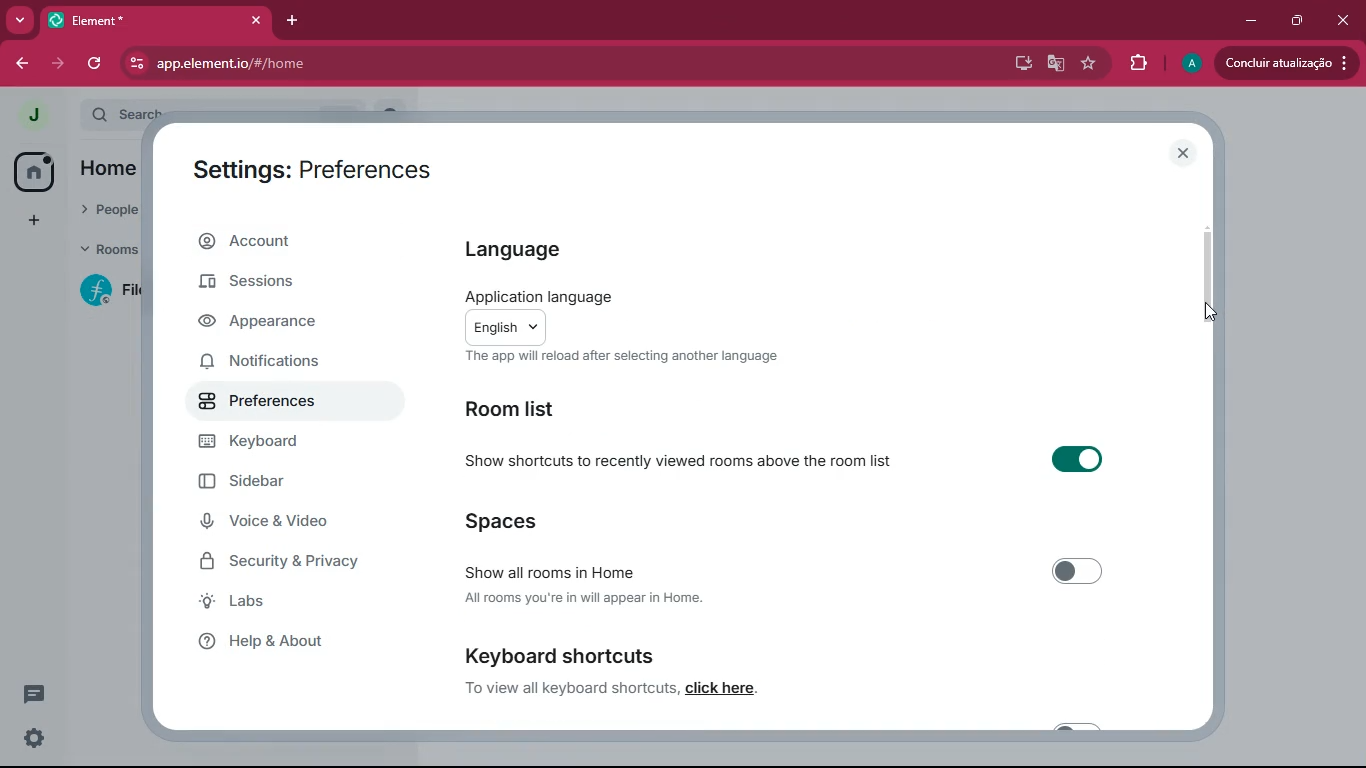 The width and height of the screenshot is (1366, 768). What do you see at coordinates (32, 694) in the screenshot?
I see `conversation` at bounding box center [32, 694].